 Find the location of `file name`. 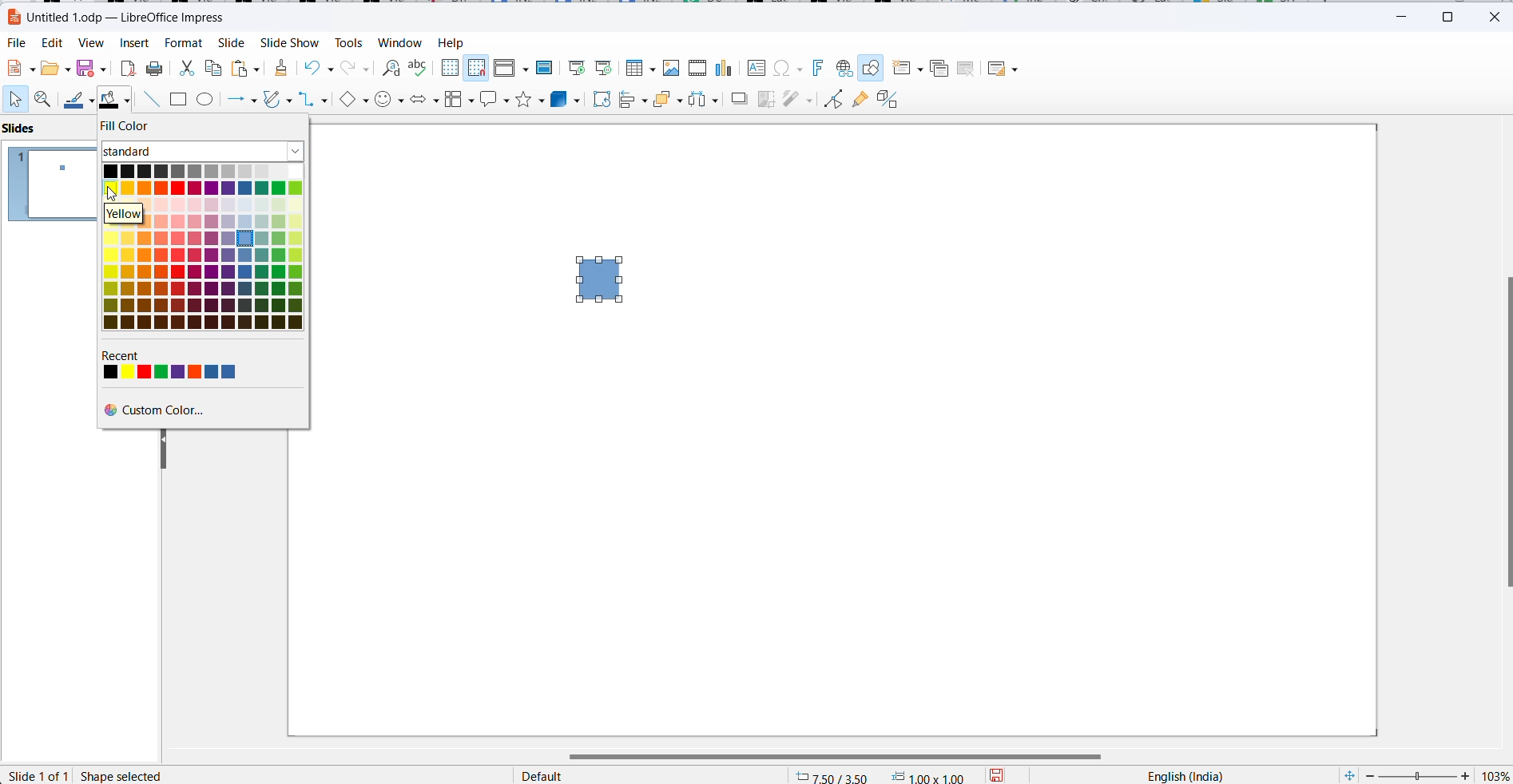

file name is located at coordinates (117, 16).